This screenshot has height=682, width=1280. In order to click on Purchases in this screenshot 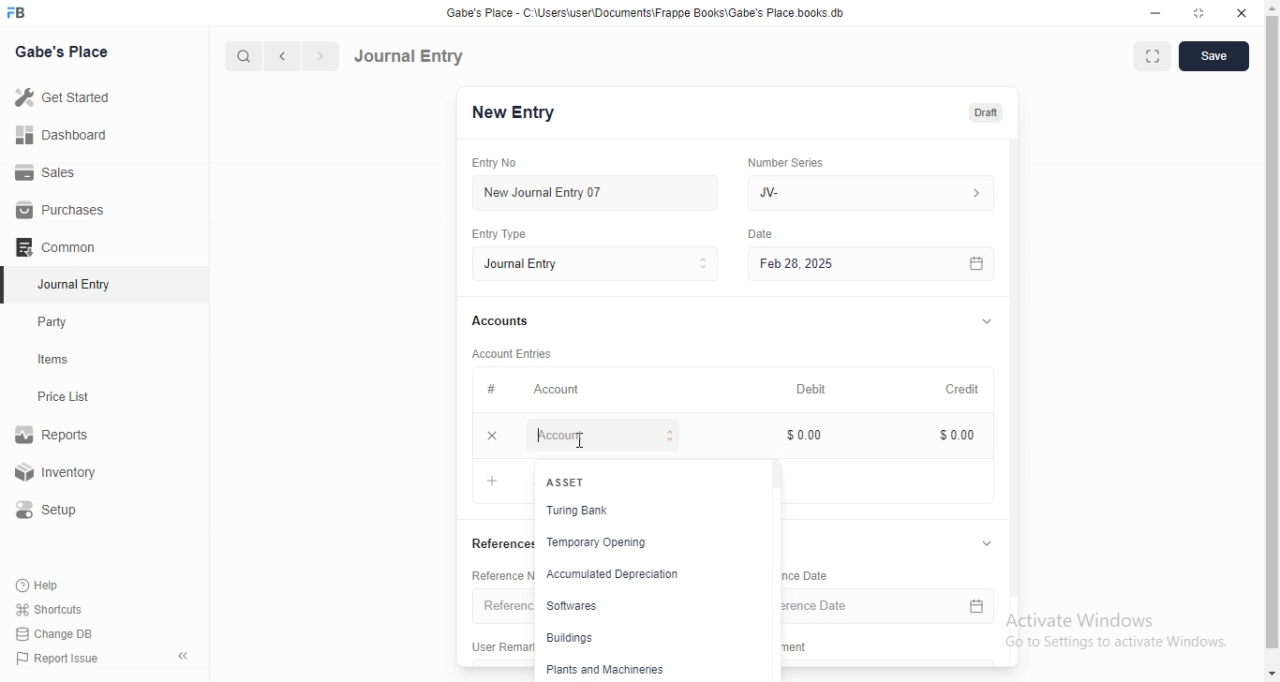, I will do `click(61, 210)`.